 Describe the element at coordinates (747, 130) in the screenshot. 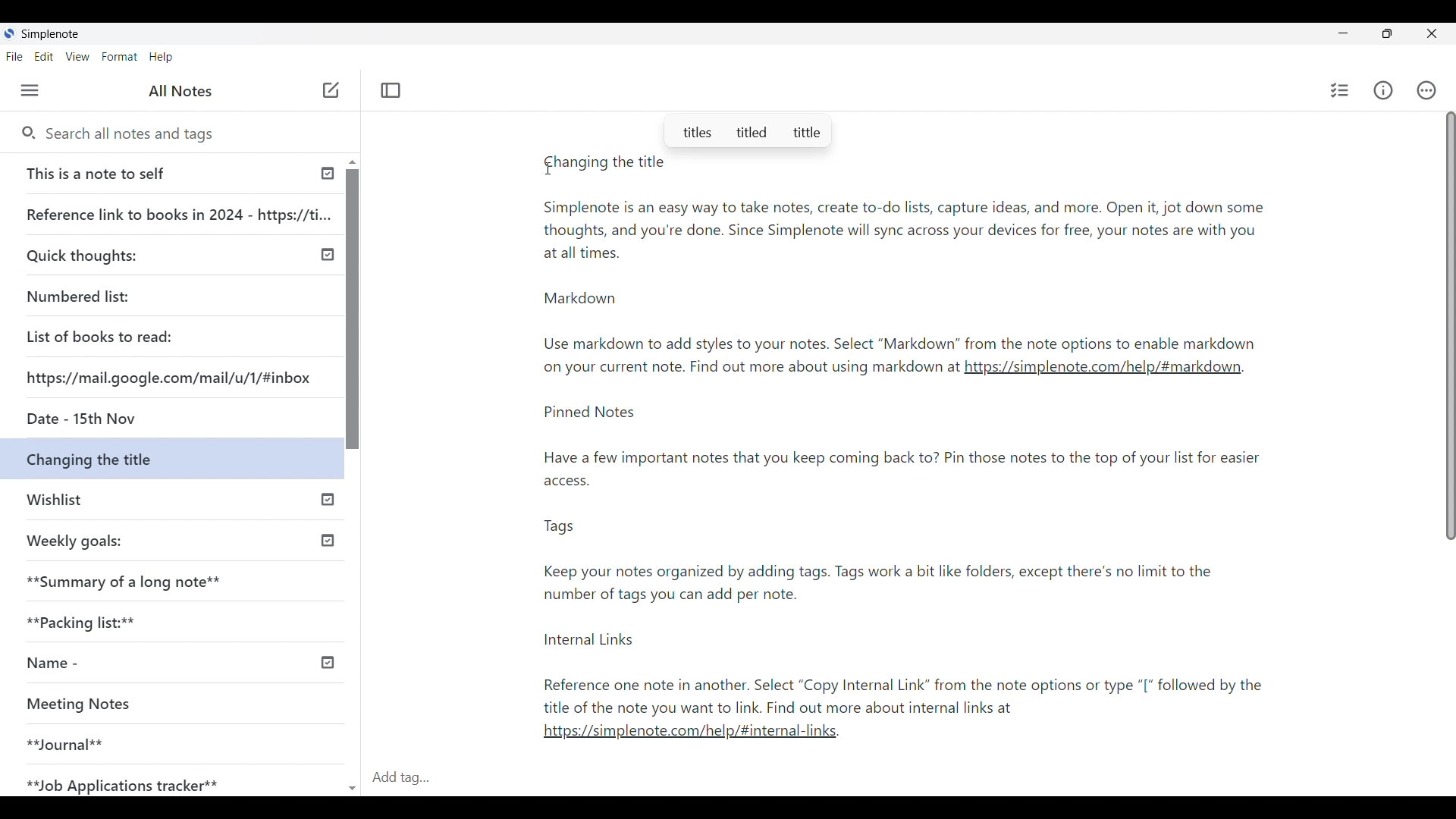

I see `Suggestions for text` at that location.